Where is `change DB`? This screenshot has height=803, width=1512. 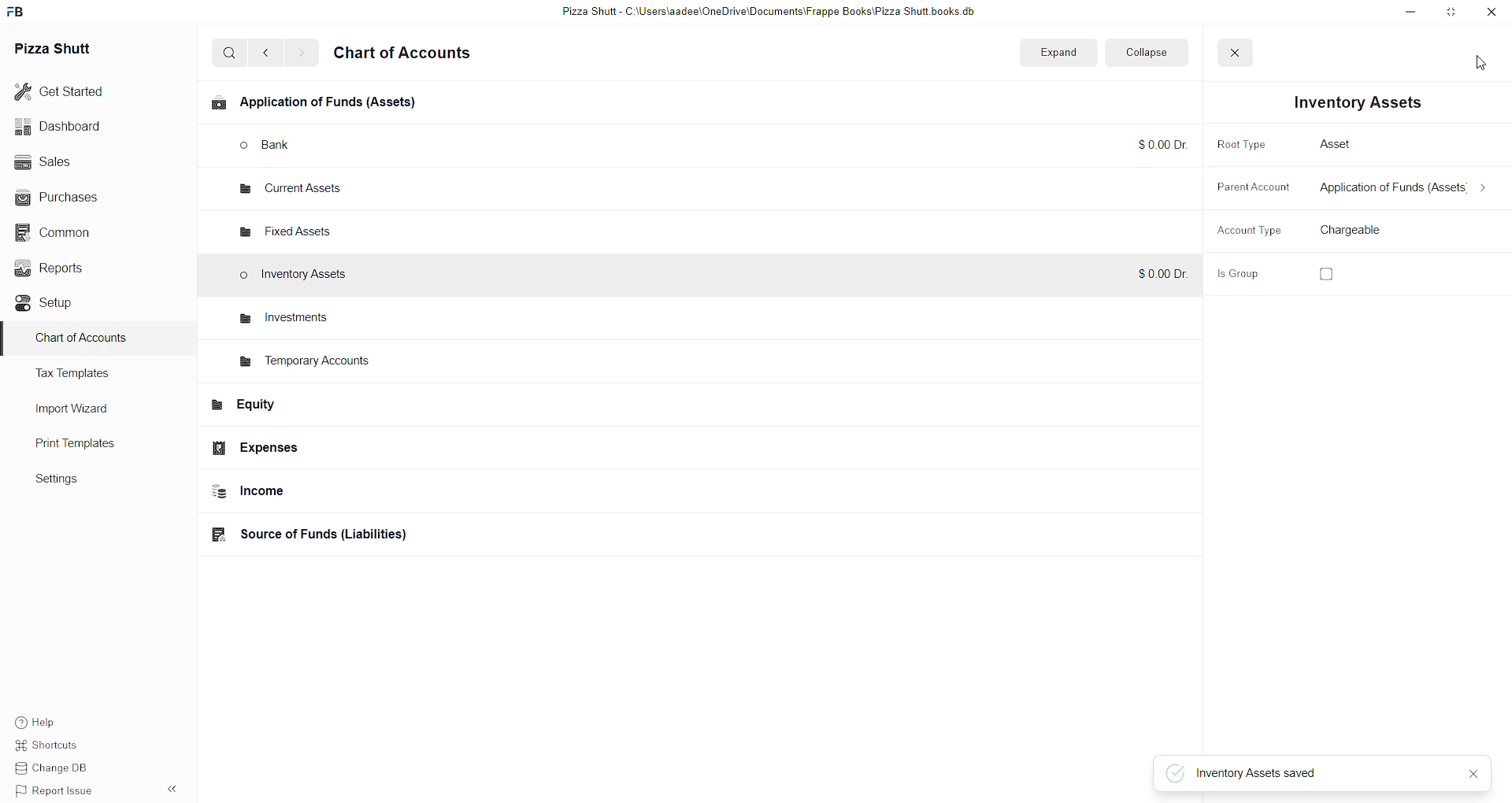 change DB is located at coordinates (51, 771).